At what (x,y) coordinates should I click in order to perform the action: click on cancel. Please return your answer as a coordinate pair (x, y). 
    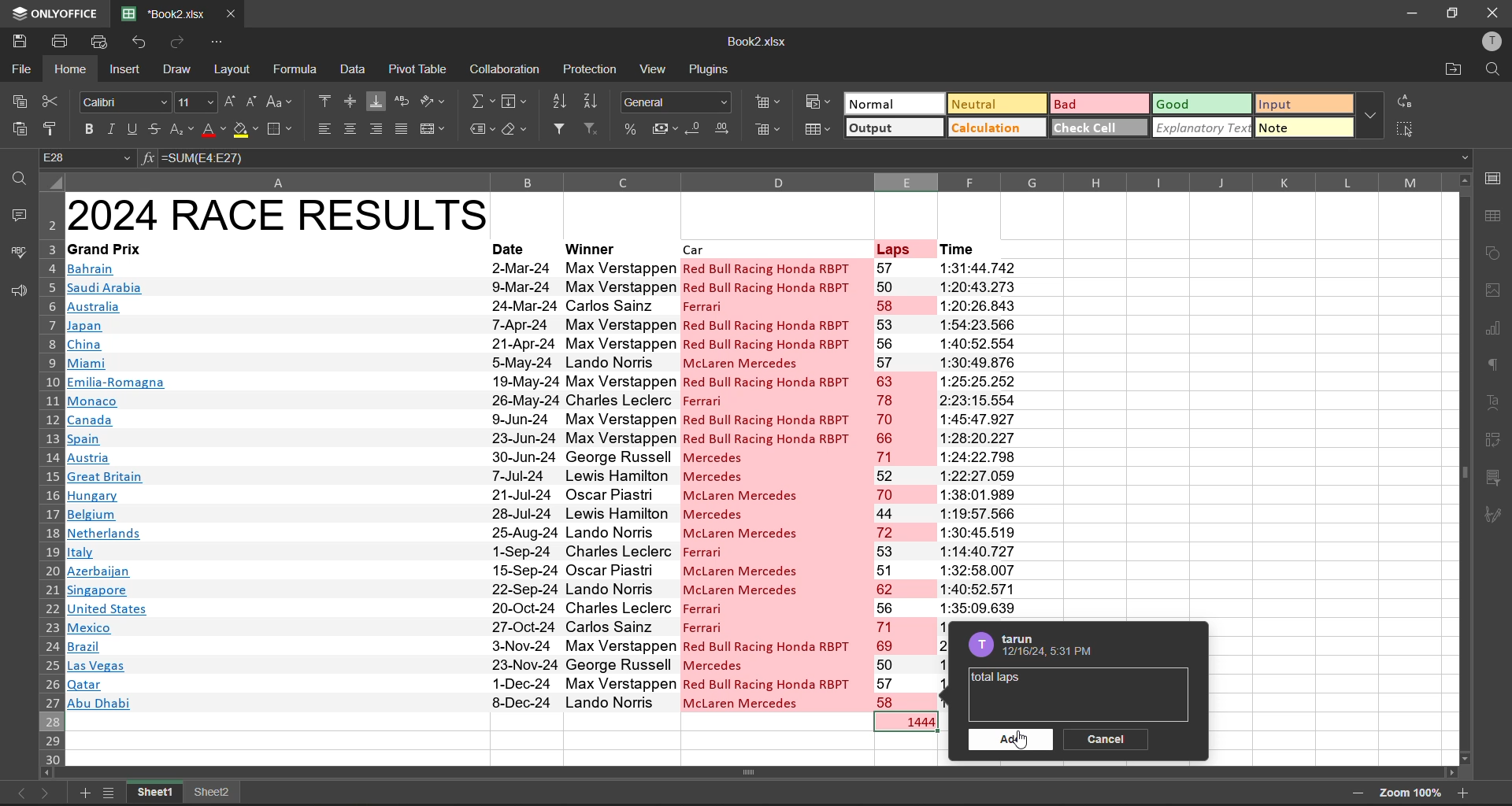
    Looking at the image, I should click on (1110, 738).